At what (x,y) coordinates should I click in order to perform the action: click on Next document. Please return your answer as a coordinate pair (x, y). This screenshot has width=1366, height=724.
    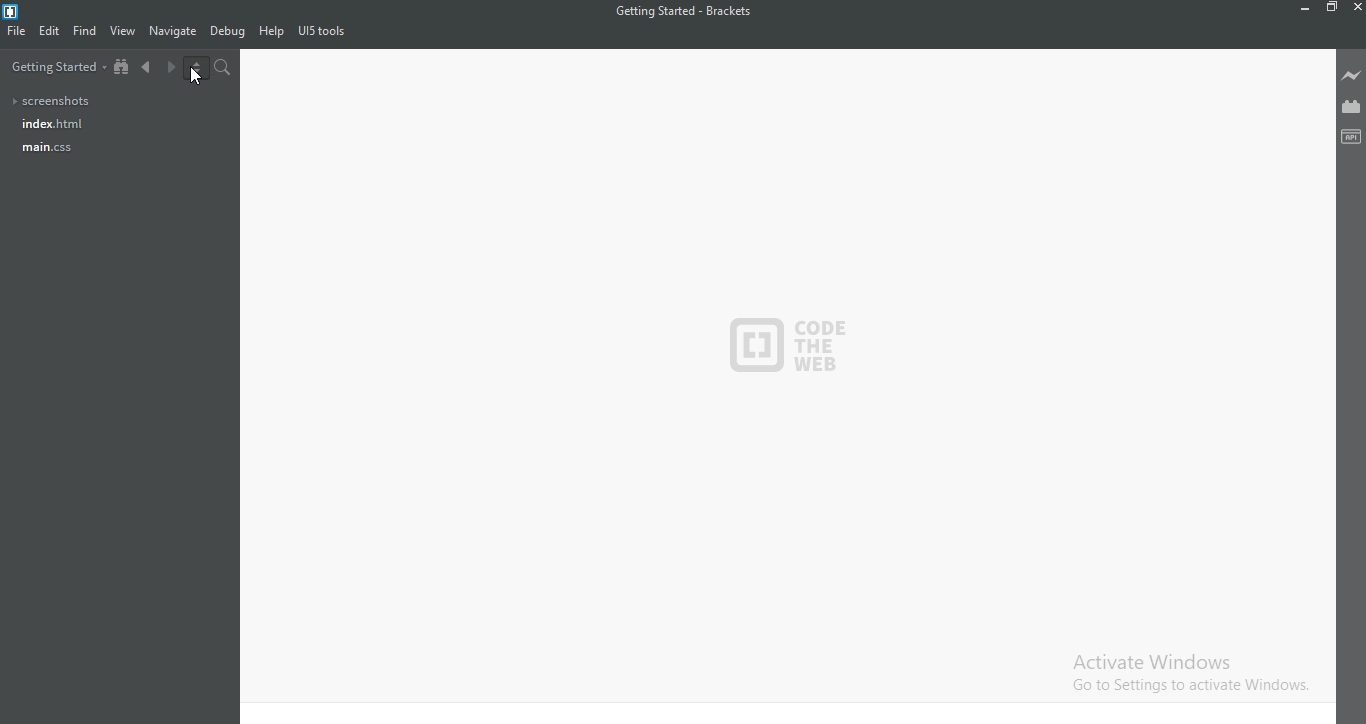
    Looking at the image, I should click on (171, 70).